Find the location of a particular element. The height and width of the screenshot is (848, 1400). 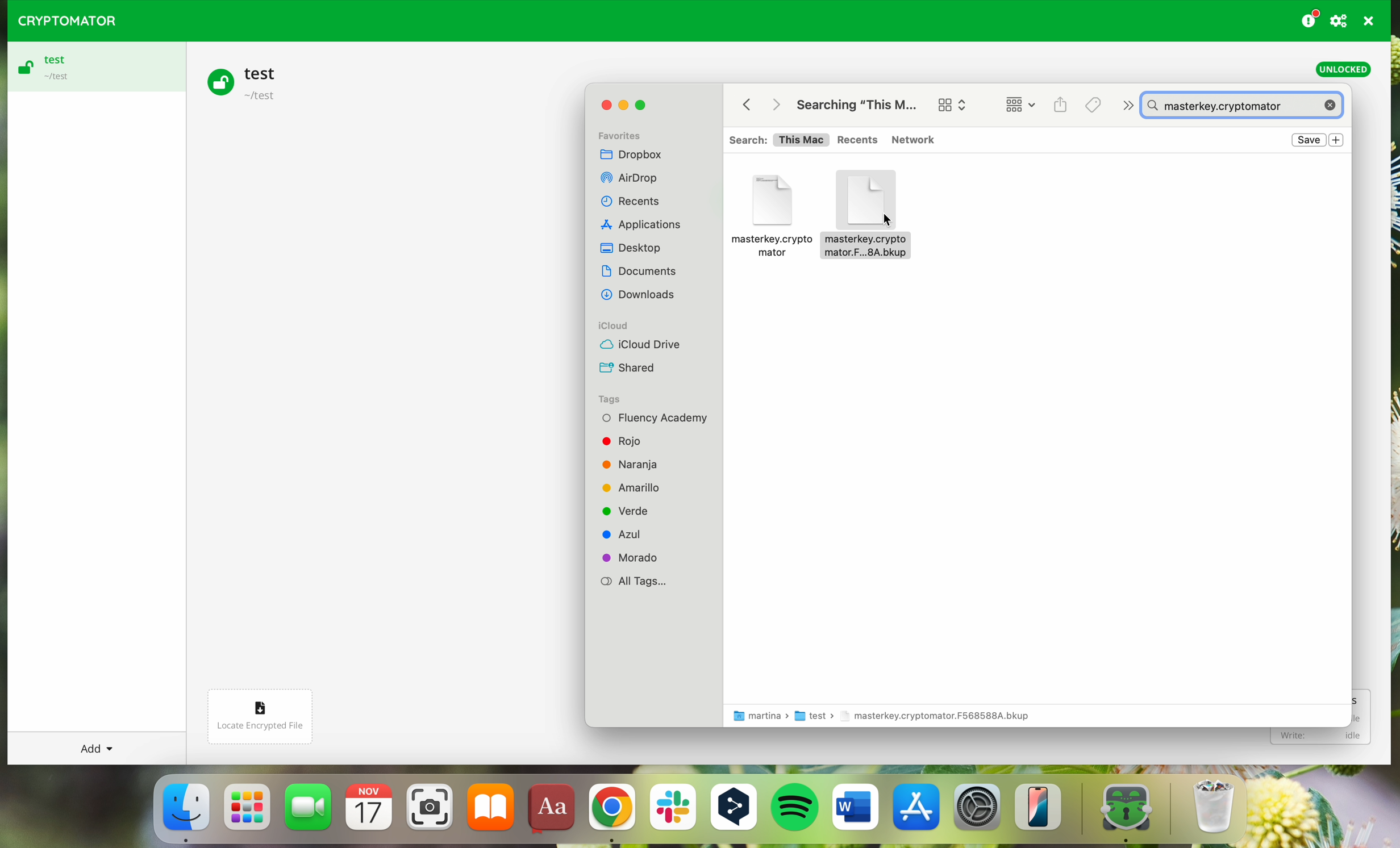

new is located at coordinates (1337, 139).